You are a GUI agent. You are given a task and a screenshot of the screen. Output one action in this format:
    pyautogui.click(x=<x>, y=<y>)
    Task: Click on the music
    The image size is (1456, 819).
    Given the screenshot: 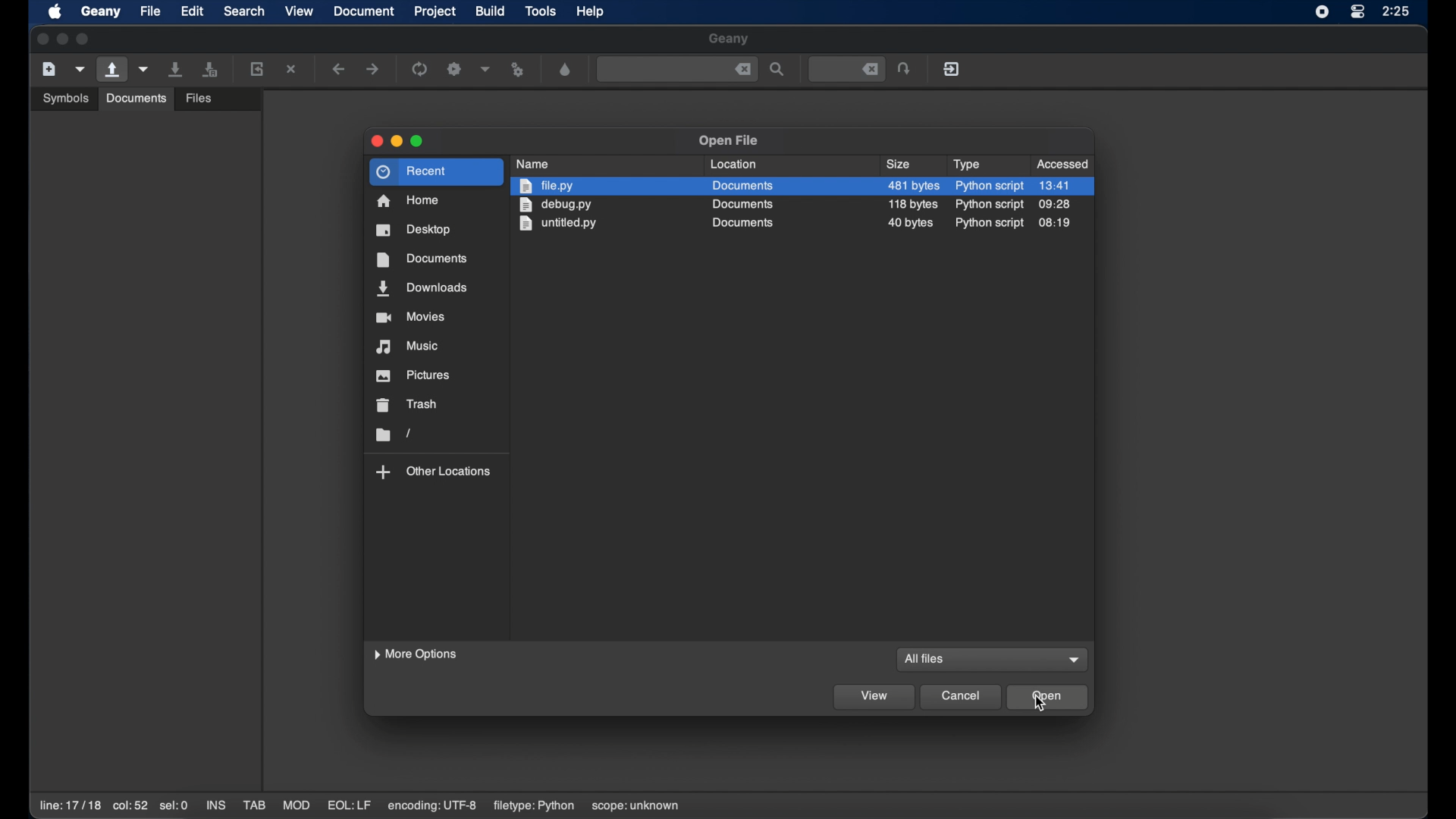 What is the action you would take?
    pyautogui.click(x=410, y=347)
    